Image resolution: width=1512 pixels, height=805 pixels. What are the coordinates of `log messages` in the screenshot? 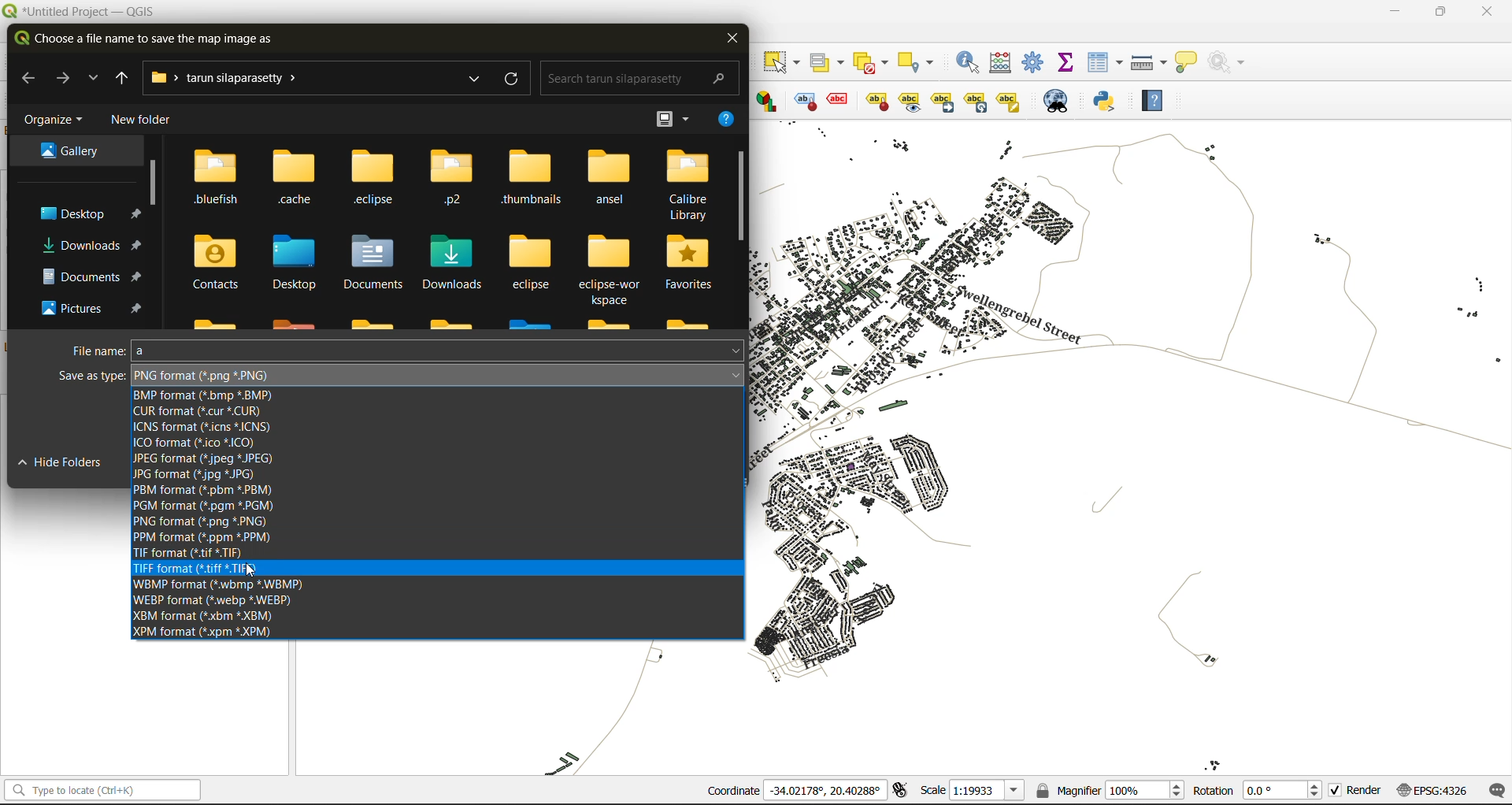 It's located at (1494, 788).